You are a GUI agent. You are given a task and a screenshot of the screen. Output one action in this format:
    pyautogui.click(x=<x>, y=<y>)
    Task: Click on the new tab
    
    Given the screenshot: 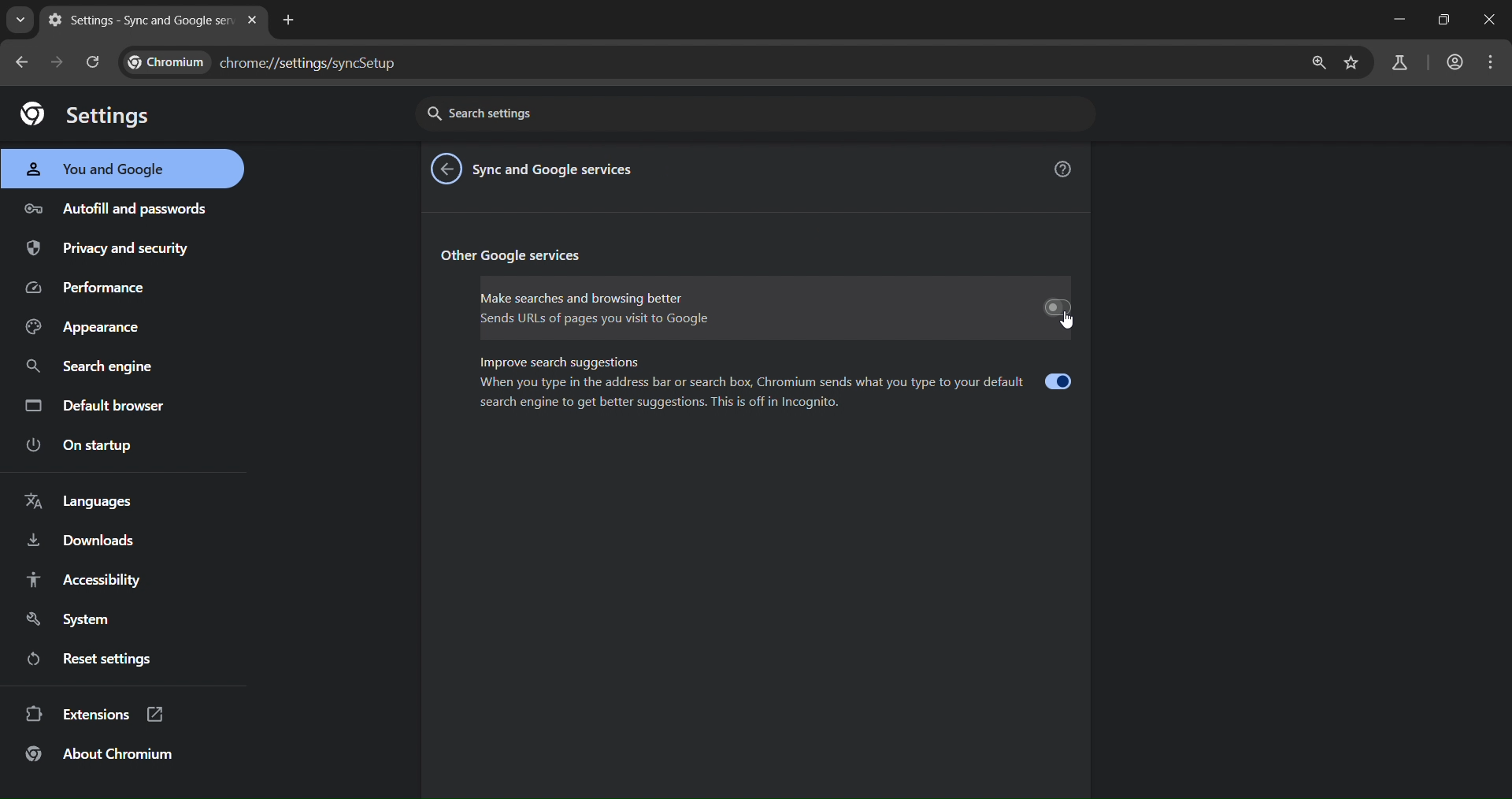 What is the action you would take?
    pyautogui.click(x=291, y=21)
    